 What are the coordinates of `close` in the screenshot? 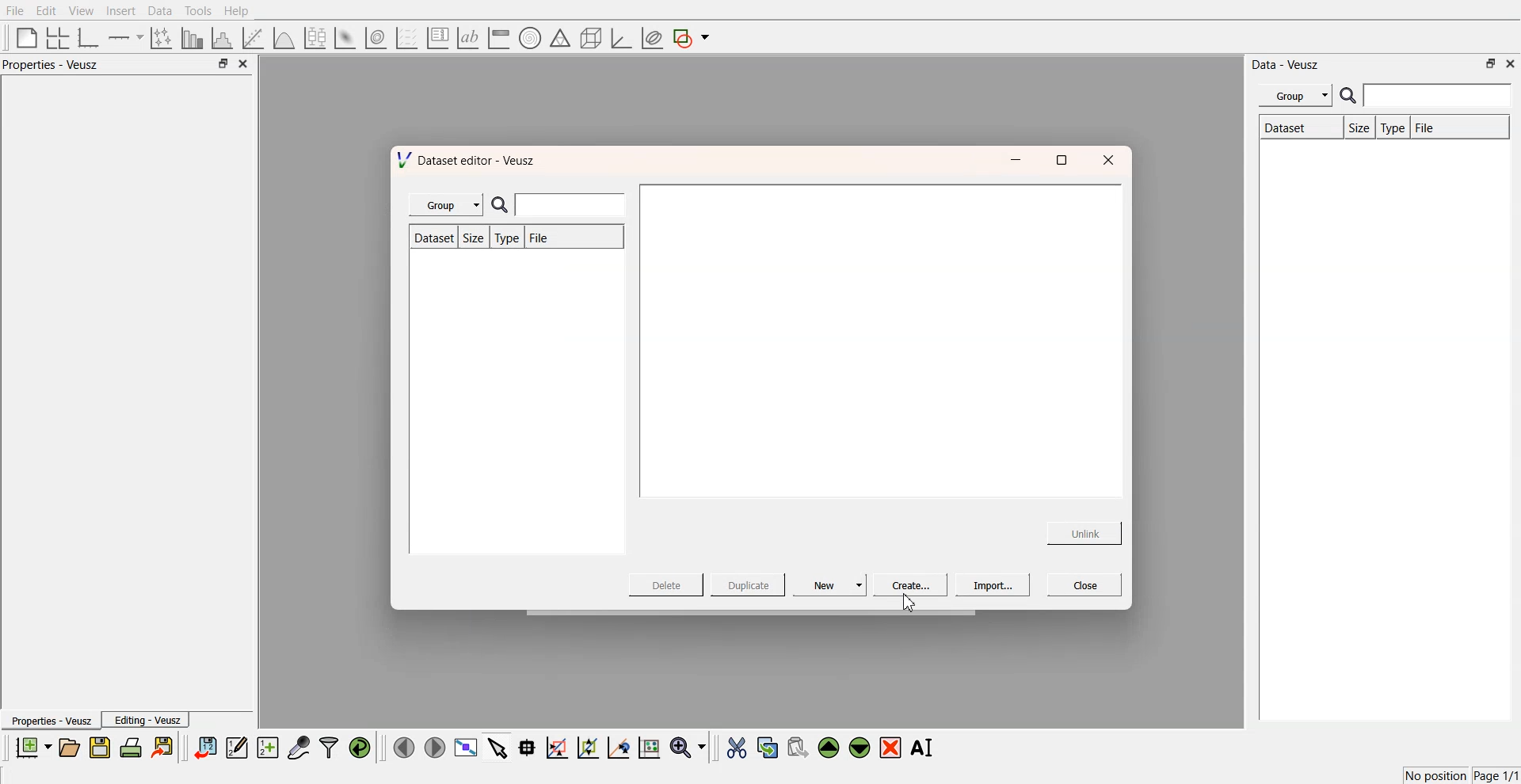 It's located at (1511, 63).